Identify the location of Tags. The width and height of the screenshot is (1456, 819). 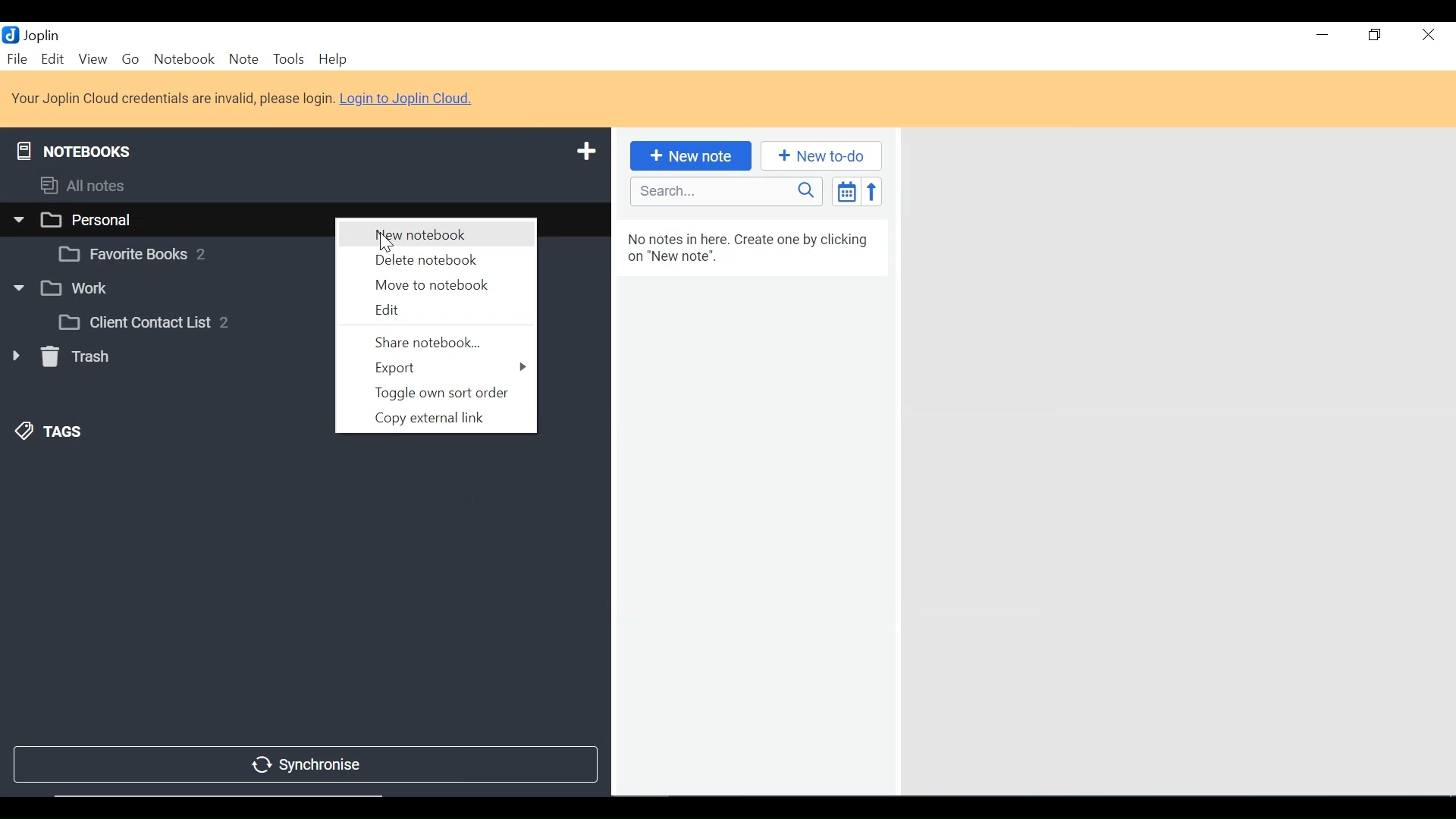
(50, 432).